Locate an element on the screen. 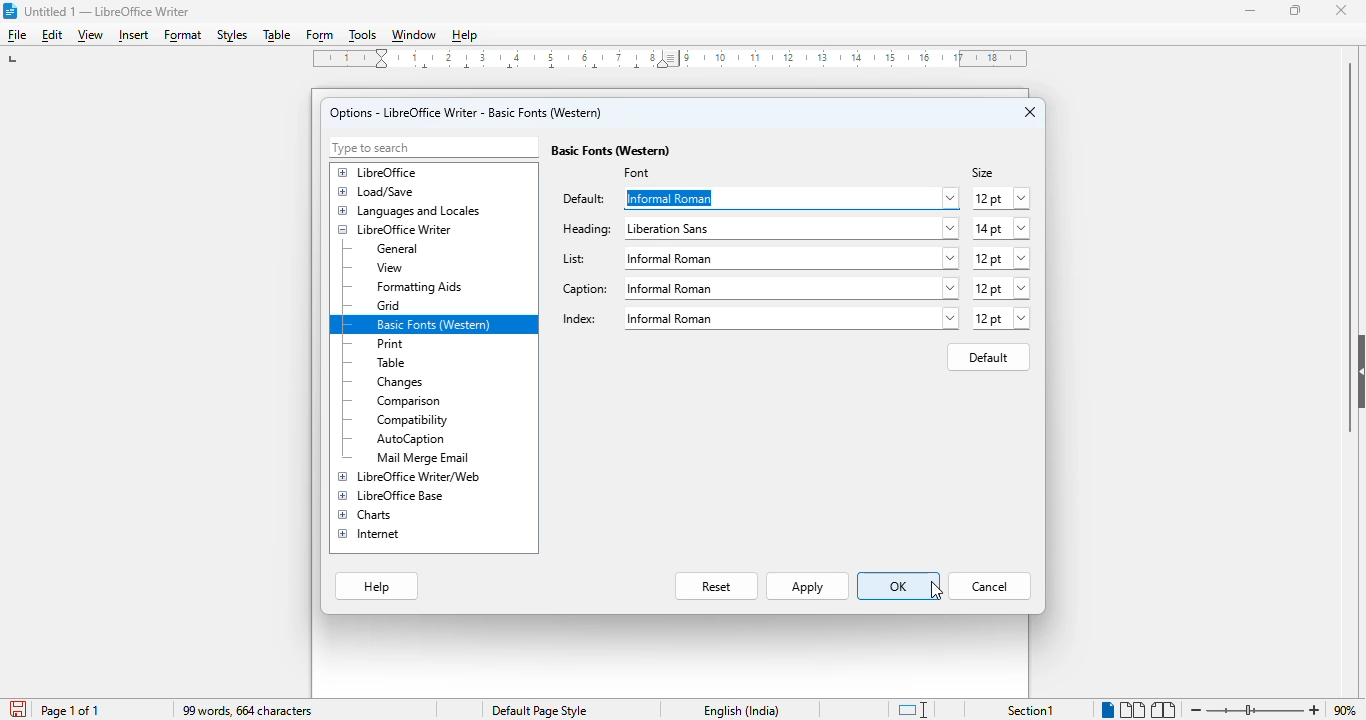 The width and height of the screenshot is (1366, 720). show is located at coordinates (1357, 371).